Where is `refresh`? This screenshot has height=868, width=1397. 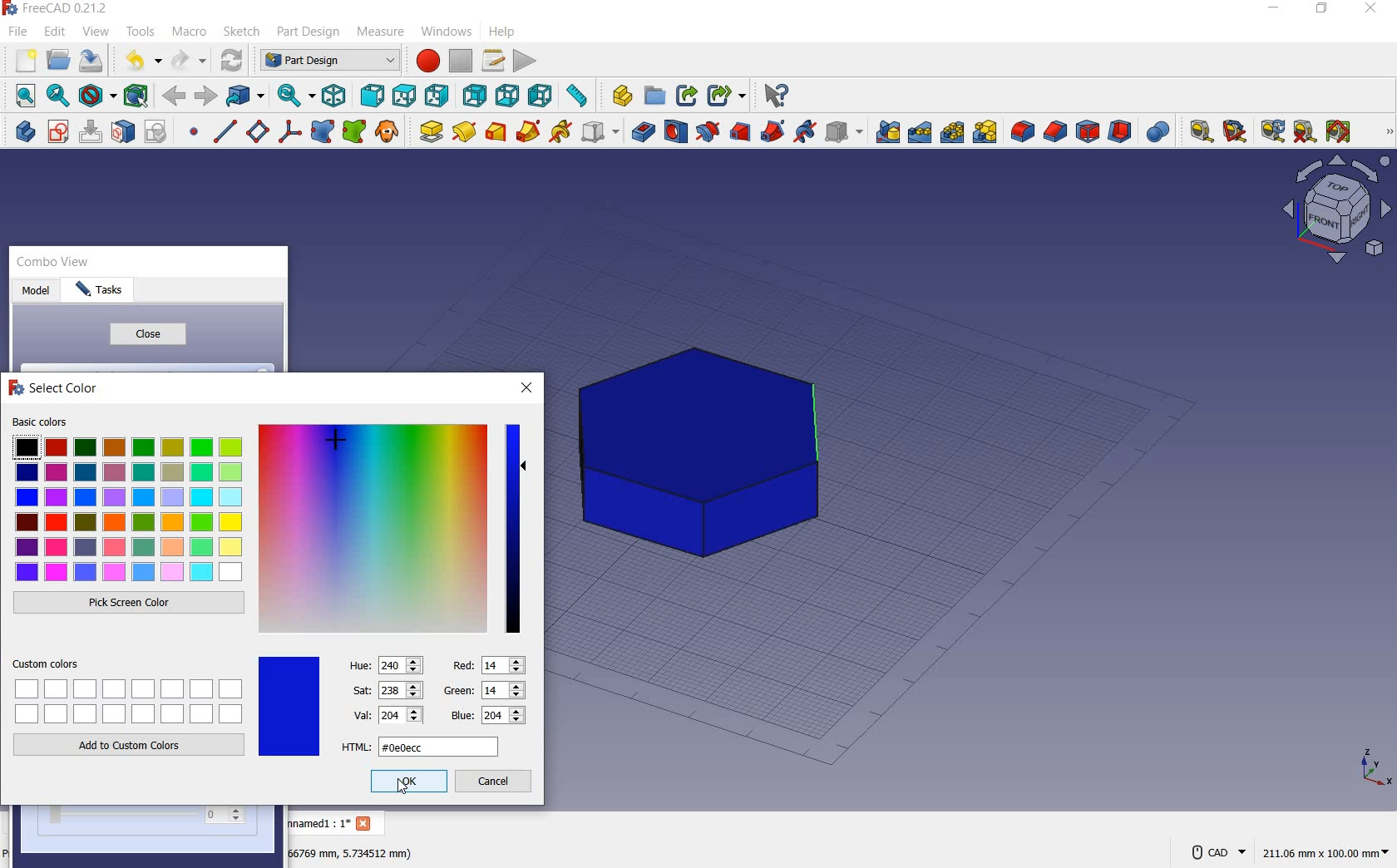
refresh is located at coordinates (231, 61).